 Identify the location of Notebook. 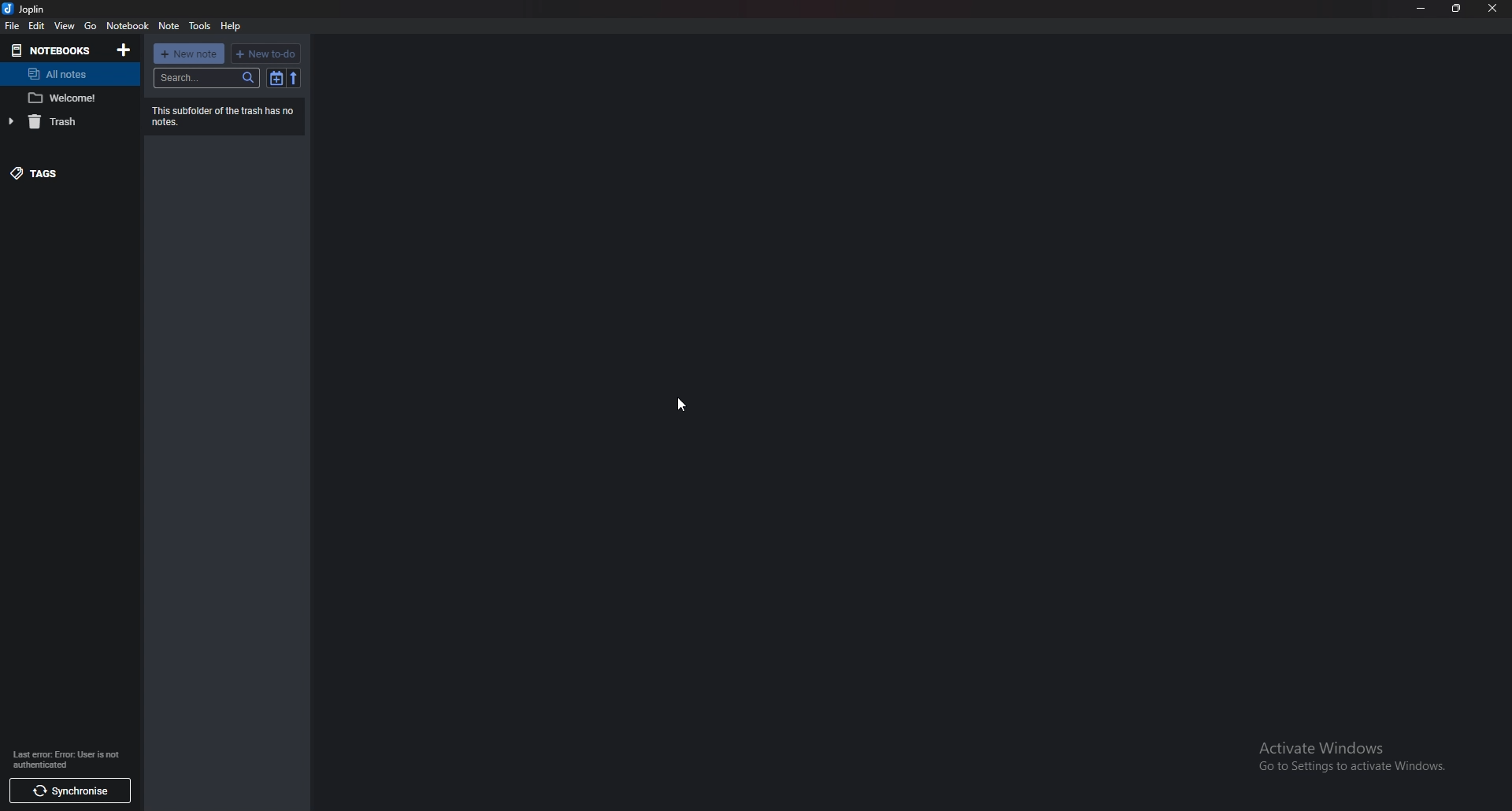
(127, 25).